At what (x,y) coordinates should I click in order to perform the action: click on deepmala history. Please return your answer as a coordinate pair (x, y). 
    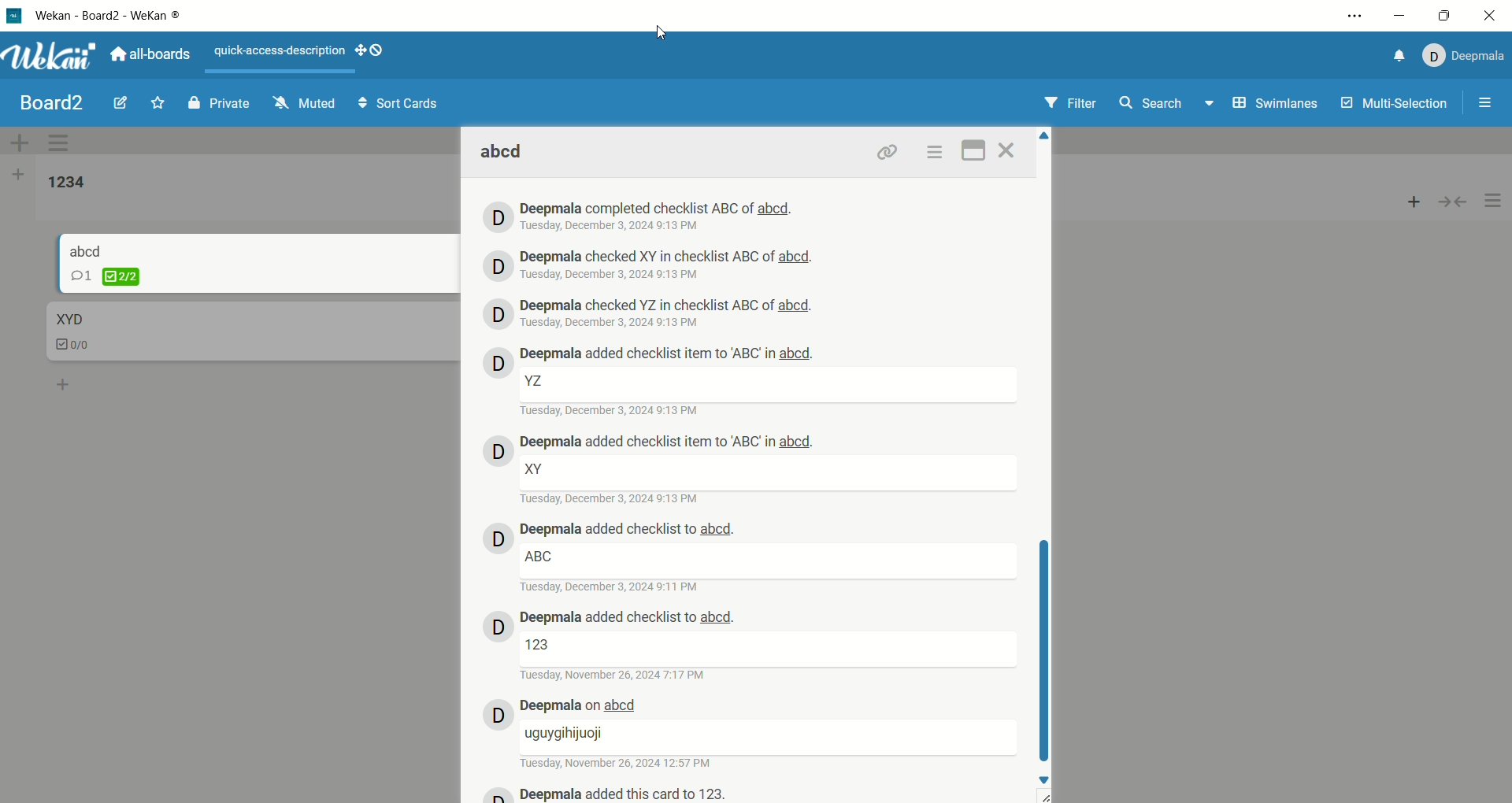
    Looking at the image, I should click on (669, 355).